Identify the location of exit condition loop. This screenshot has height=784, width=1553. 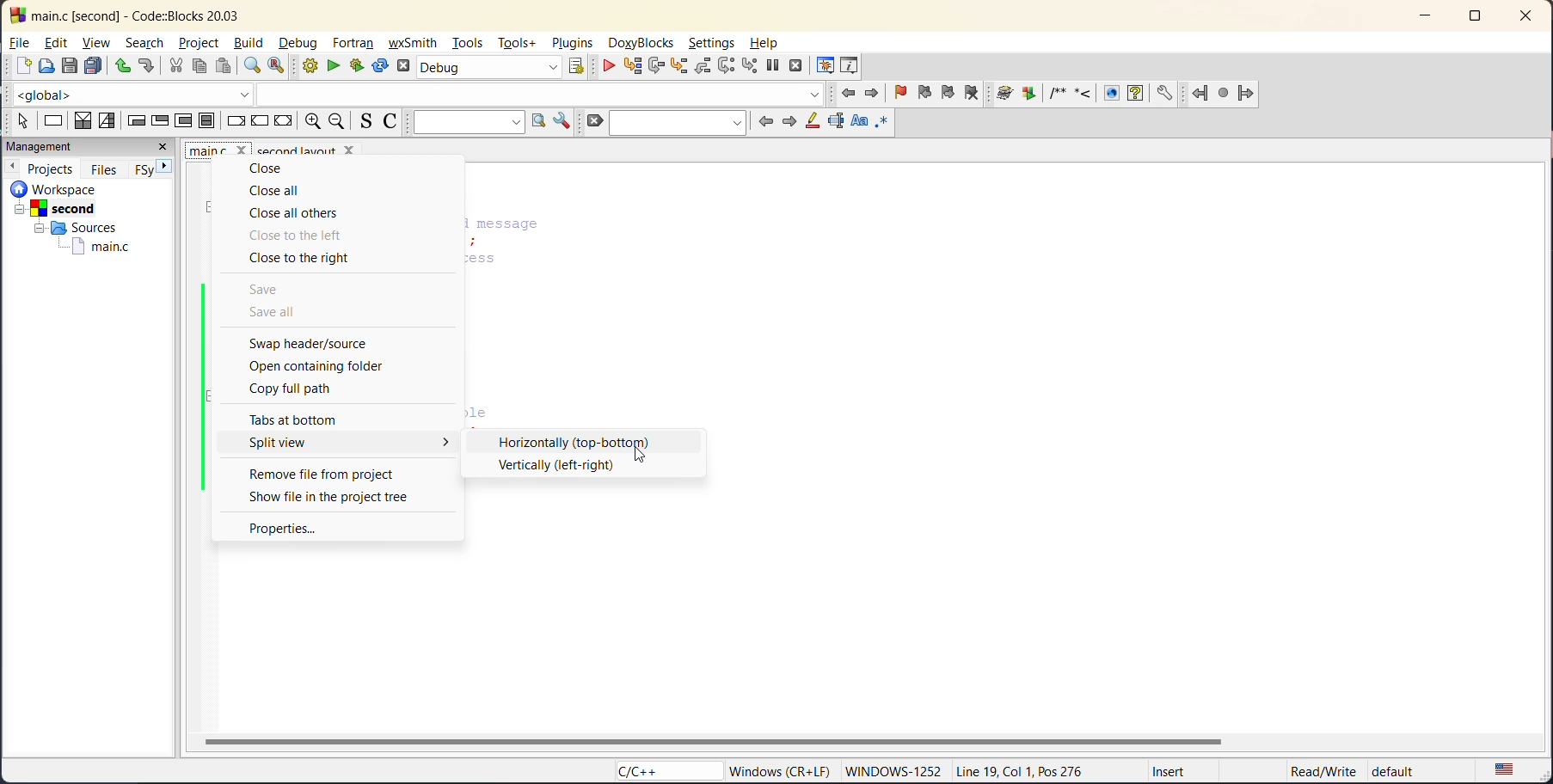
(159, 122).